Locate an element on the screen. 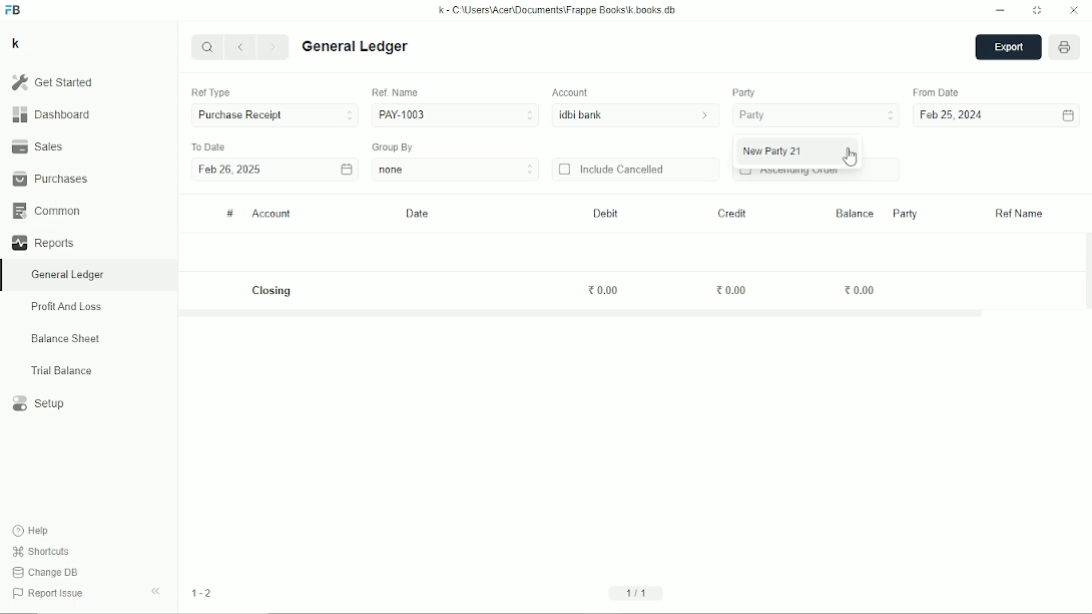 The width and height of the screenshot is (1092, 614). To date is located at coordinates (208, 146).